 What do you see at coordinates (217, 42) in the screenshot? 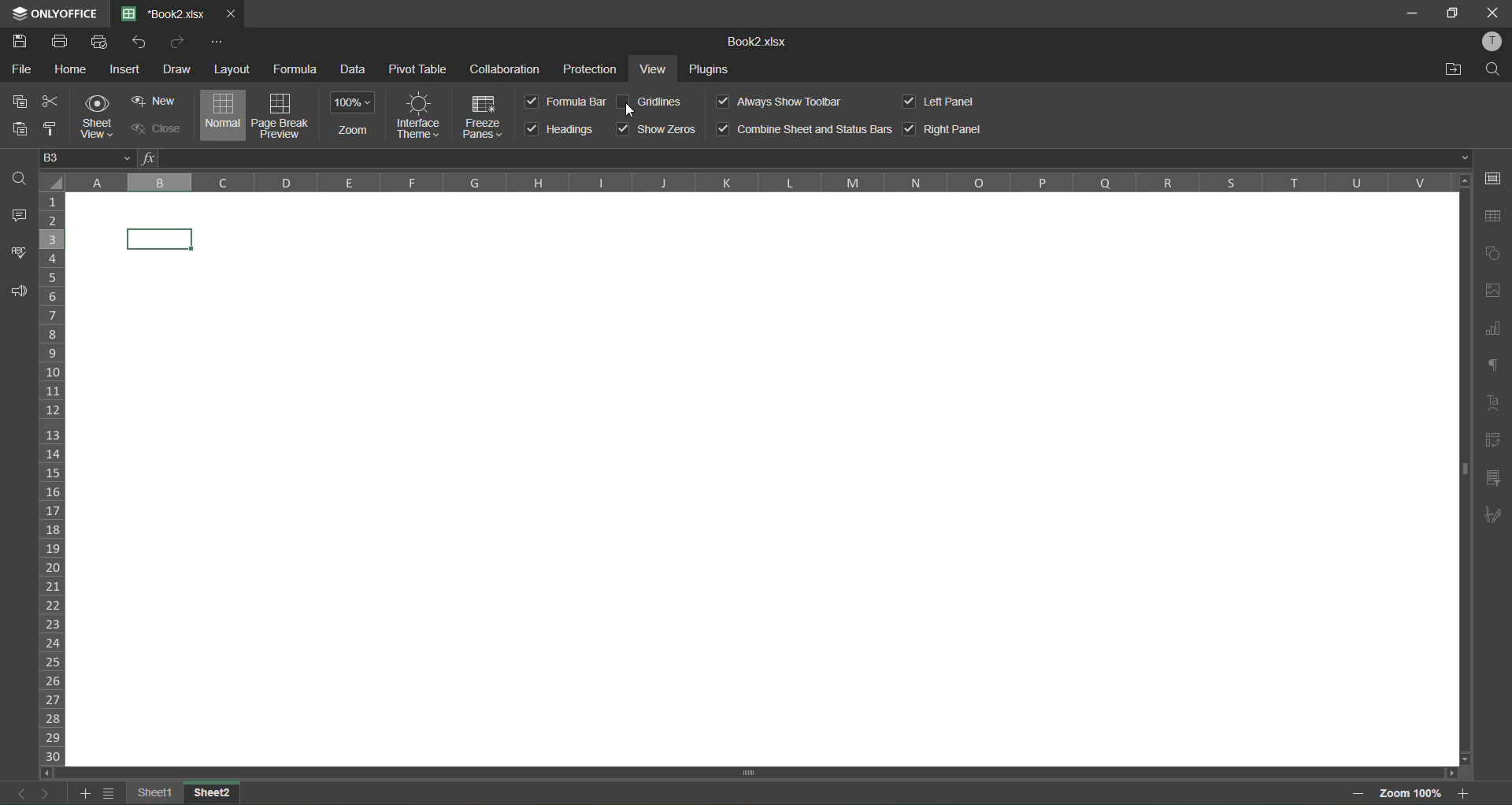
I see `customize quick access toolbar` at bounding box center [217, 42].